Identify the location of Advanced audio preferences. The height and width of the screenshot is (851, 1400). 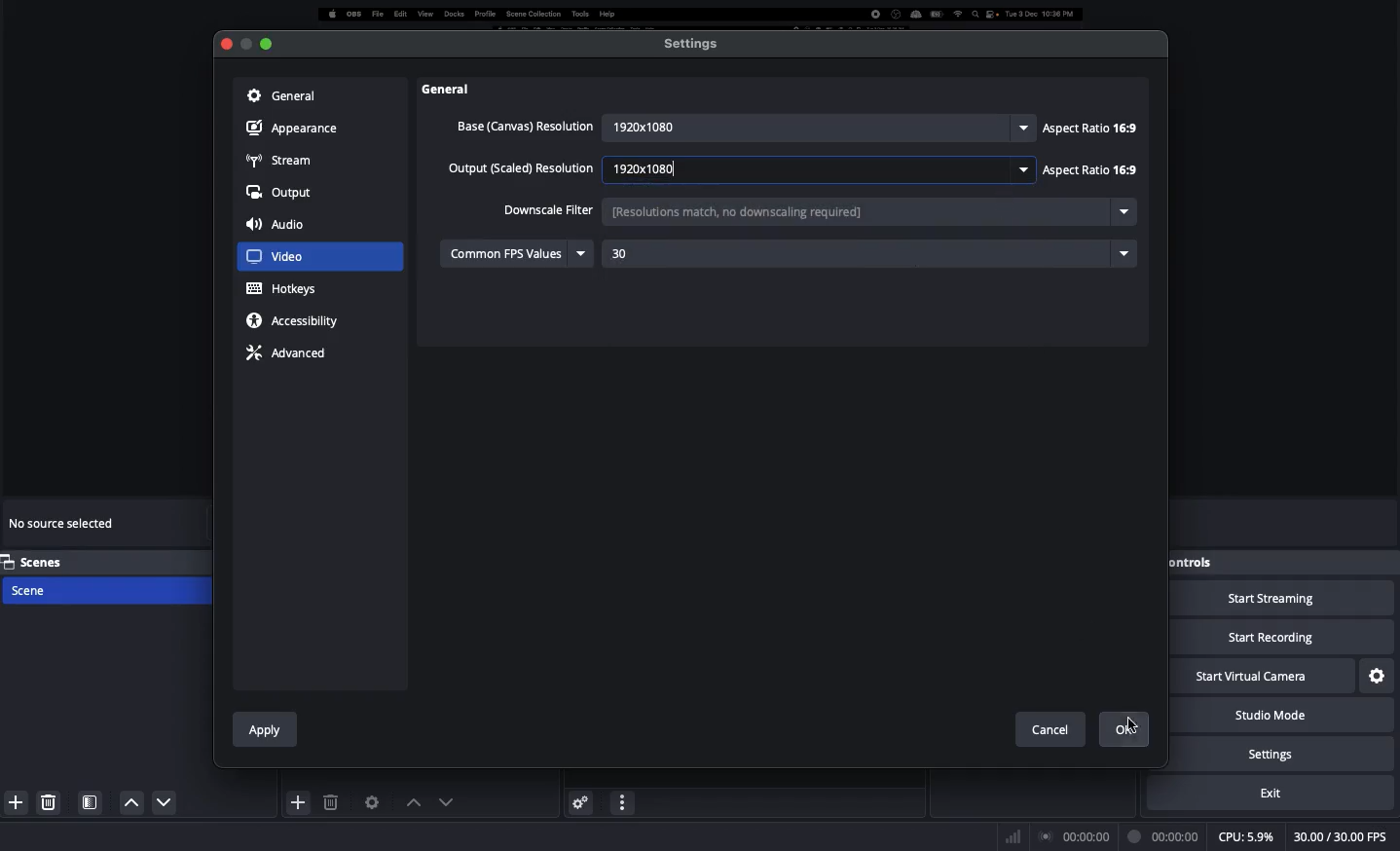
(580, 801).